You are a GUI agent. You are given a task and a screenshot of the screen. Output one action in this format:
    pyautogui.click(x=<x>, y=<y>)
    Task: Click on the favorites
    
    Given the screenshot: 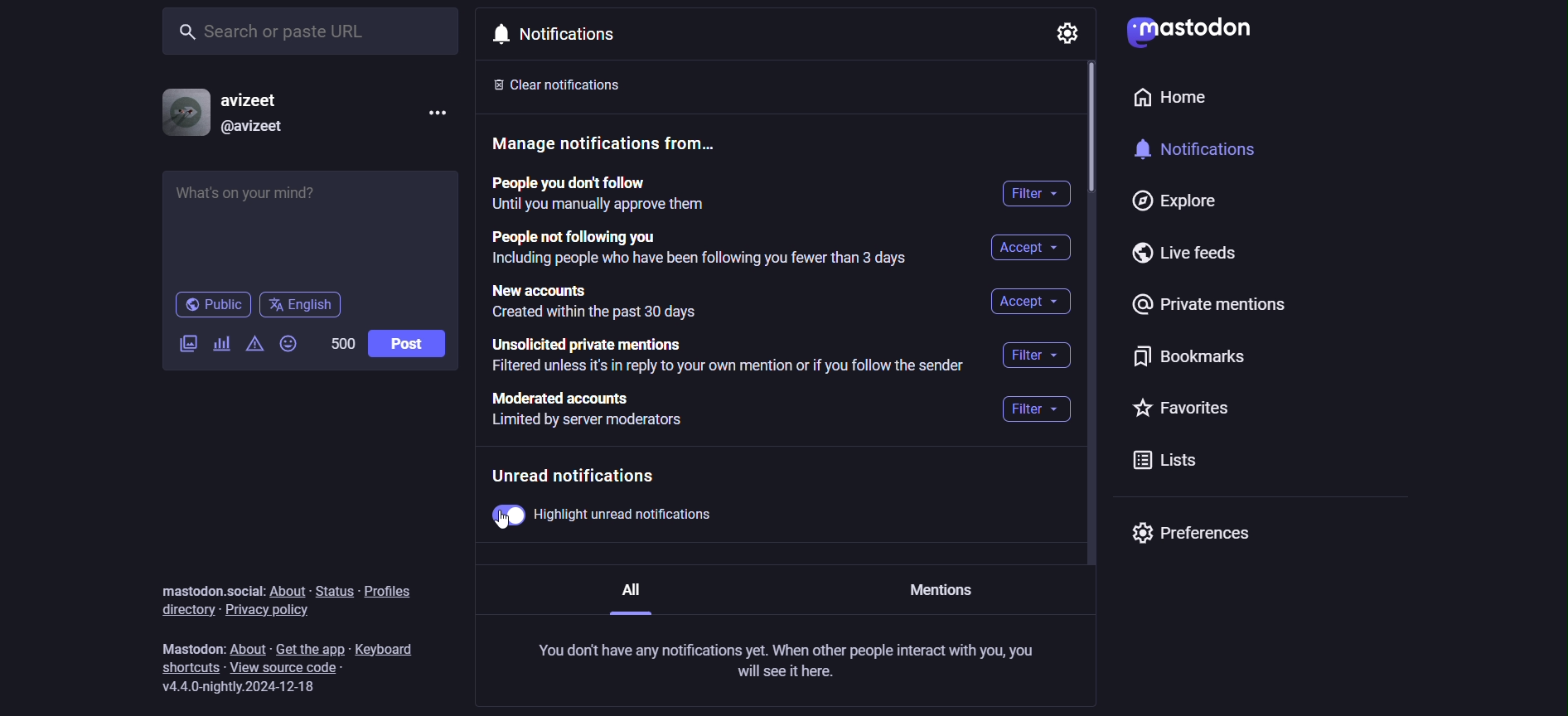 What is the action you would take?
    pyautogui.click(x=1183, y=409)
    